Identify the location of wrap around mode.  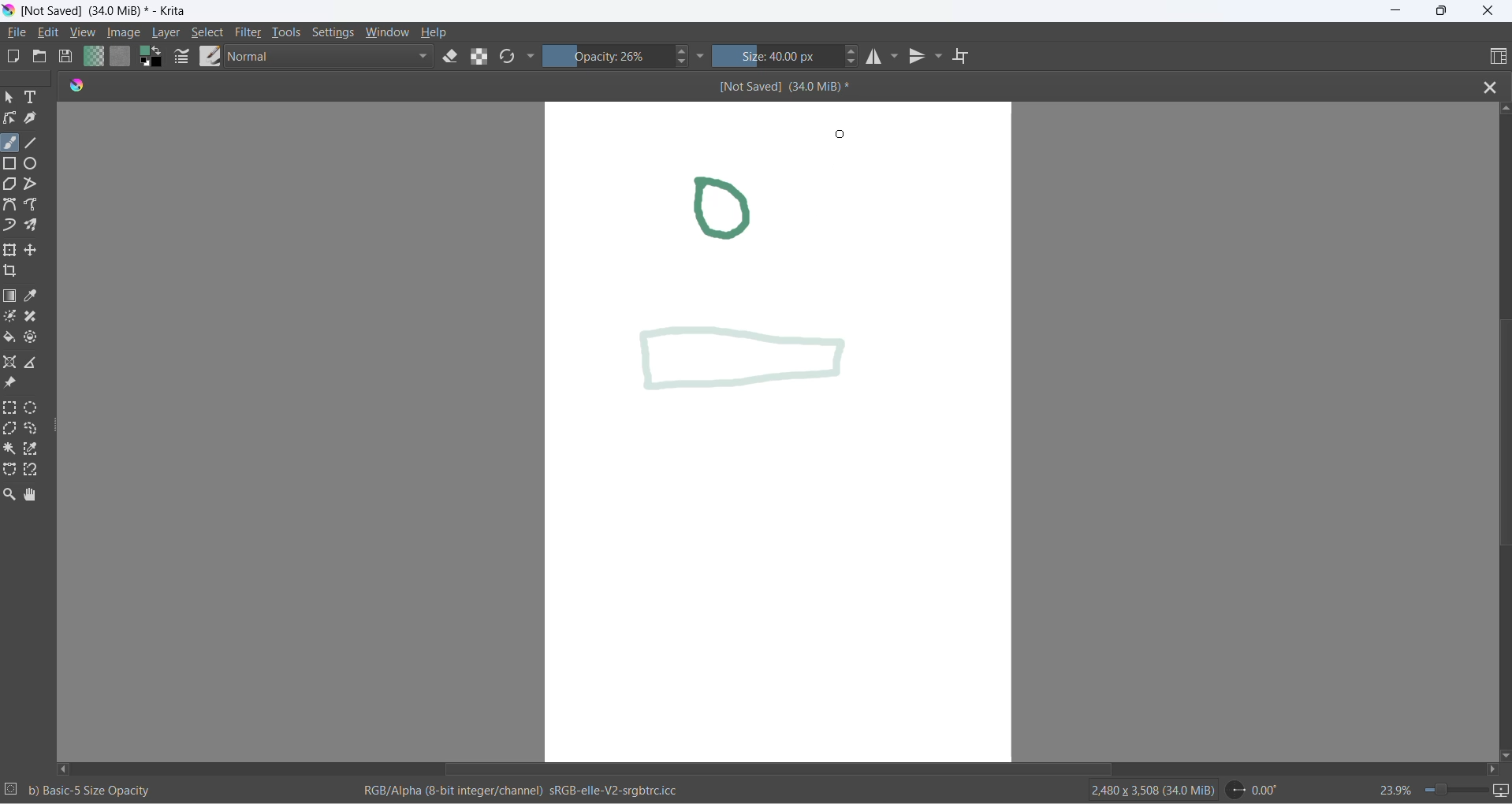
(968, 56).